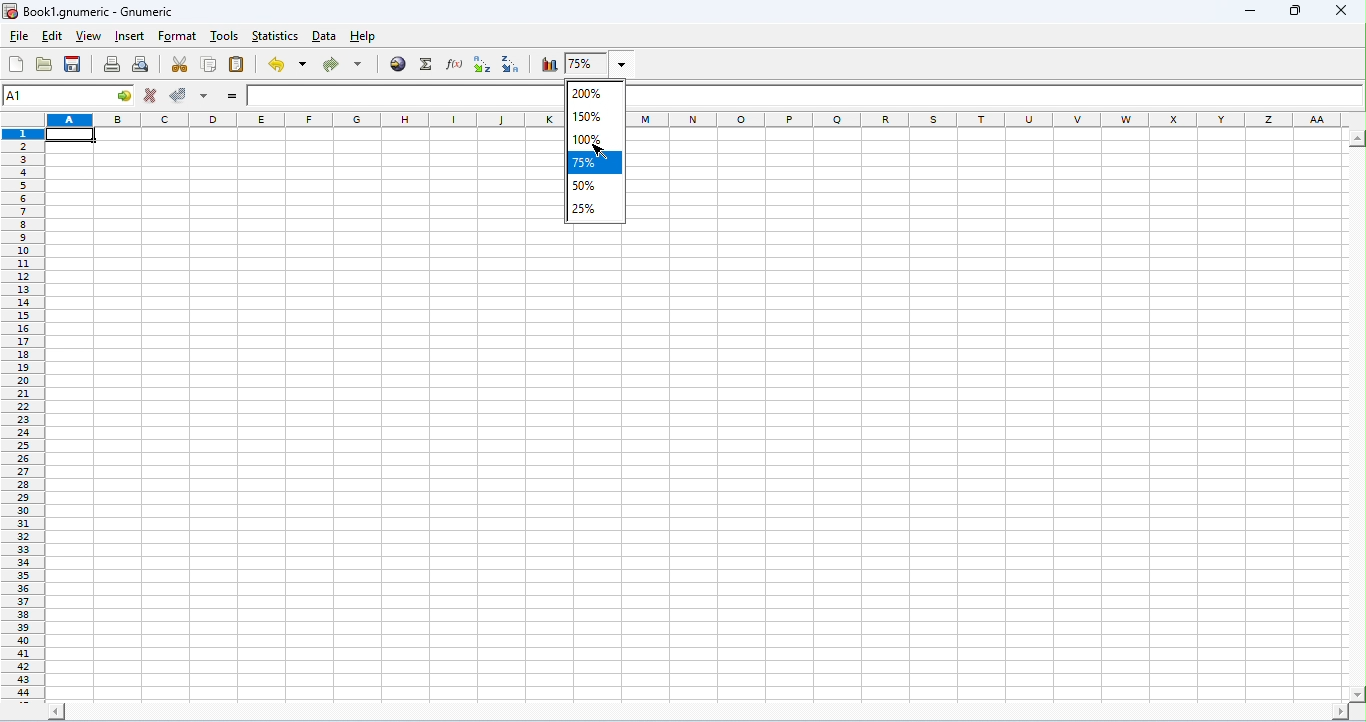  What do you see at coordinates (181, 96) in the screenshot?
I see `accept` at bounding box center [181, 96].